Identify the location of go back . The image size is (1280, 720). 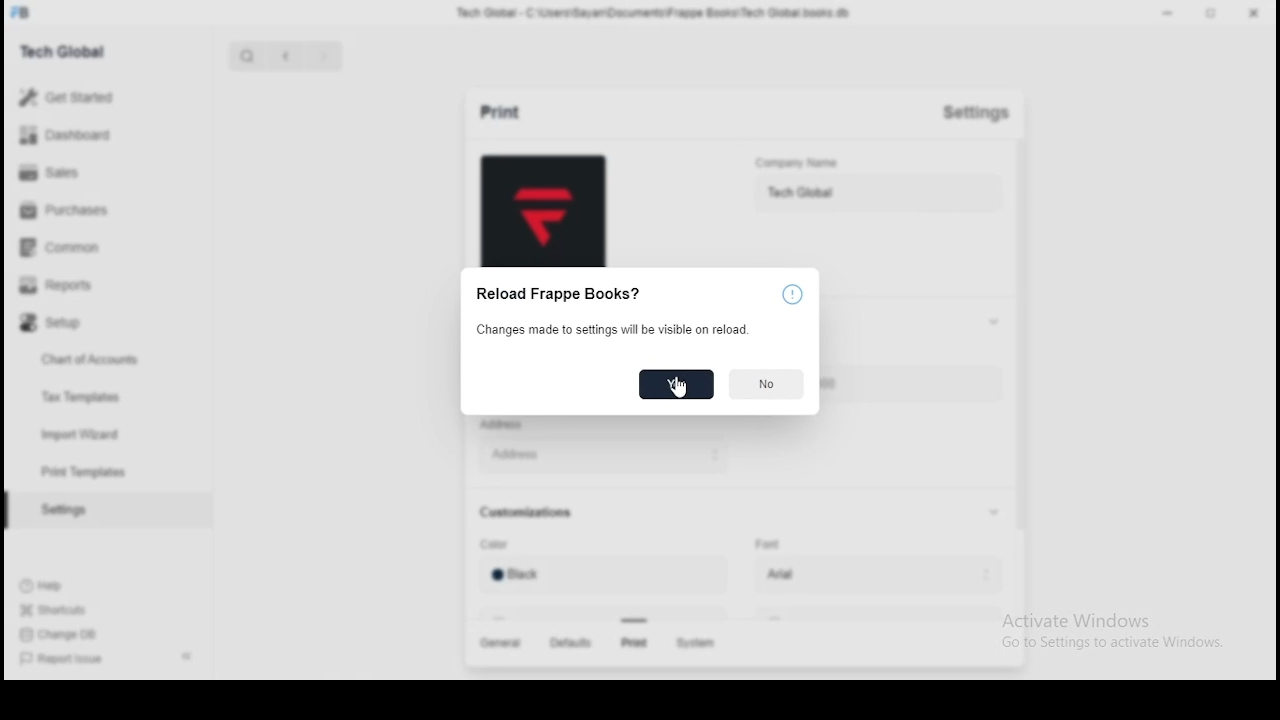
(287, 57).